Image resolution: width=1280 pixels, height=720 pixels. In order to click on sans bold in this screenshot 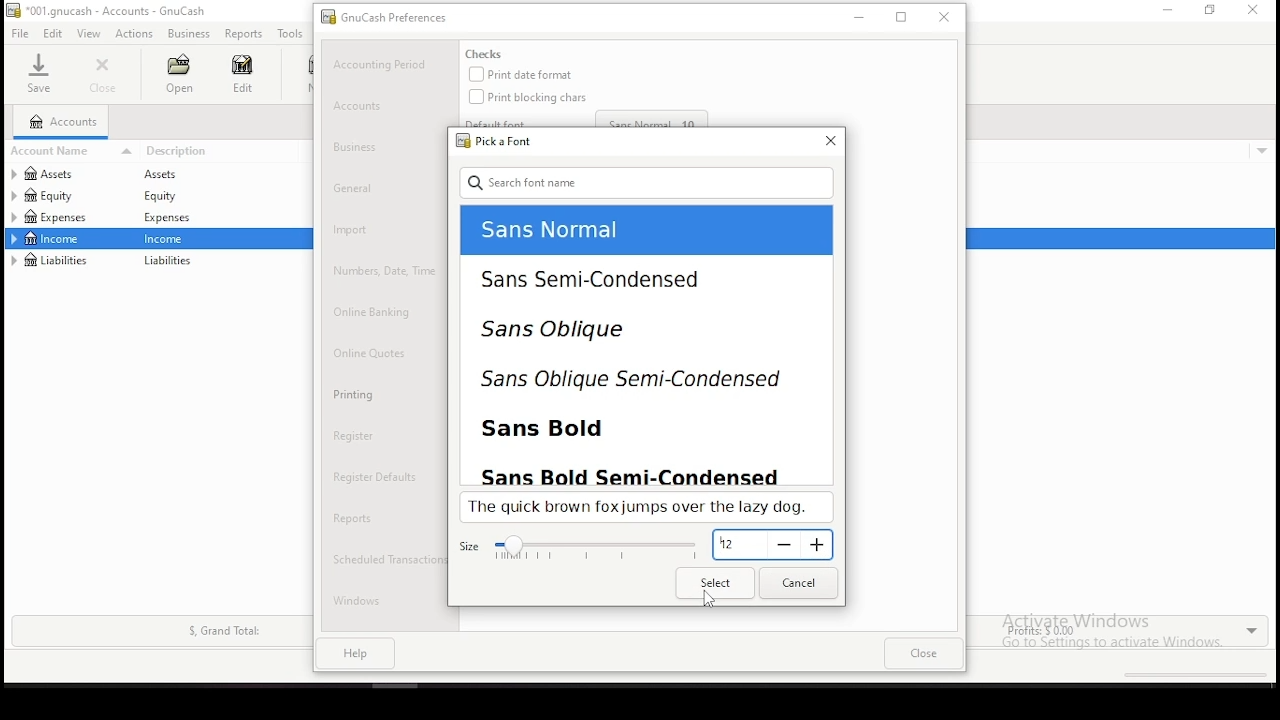, I will do `click(567, 427)`.